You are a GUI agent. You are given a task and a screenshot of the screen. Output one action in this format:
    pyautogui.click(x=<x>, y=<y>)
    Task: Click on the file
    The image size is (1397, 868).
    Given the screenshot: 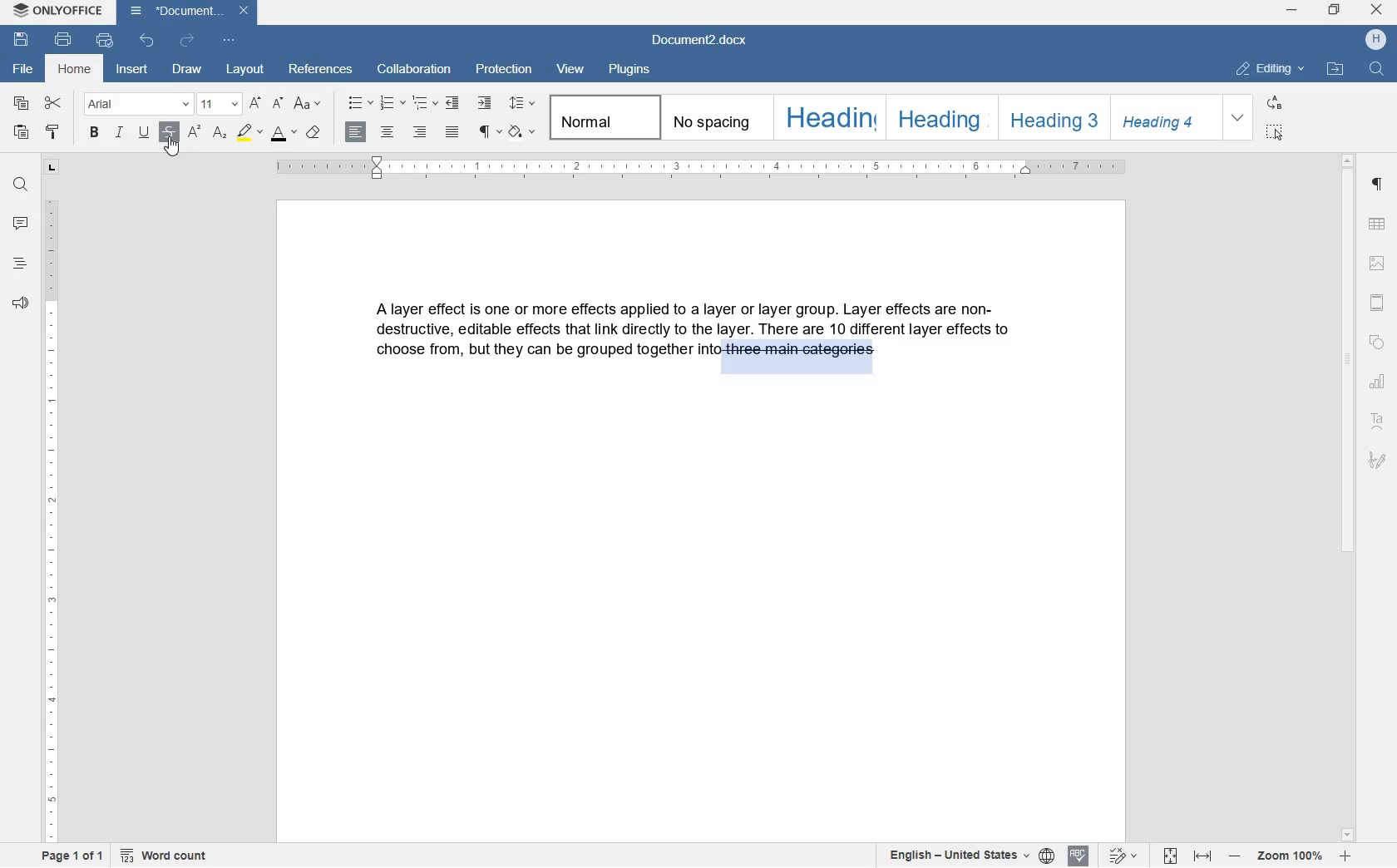 What is the action you would take?
    pyautogui.click(x=21, y=69)
    